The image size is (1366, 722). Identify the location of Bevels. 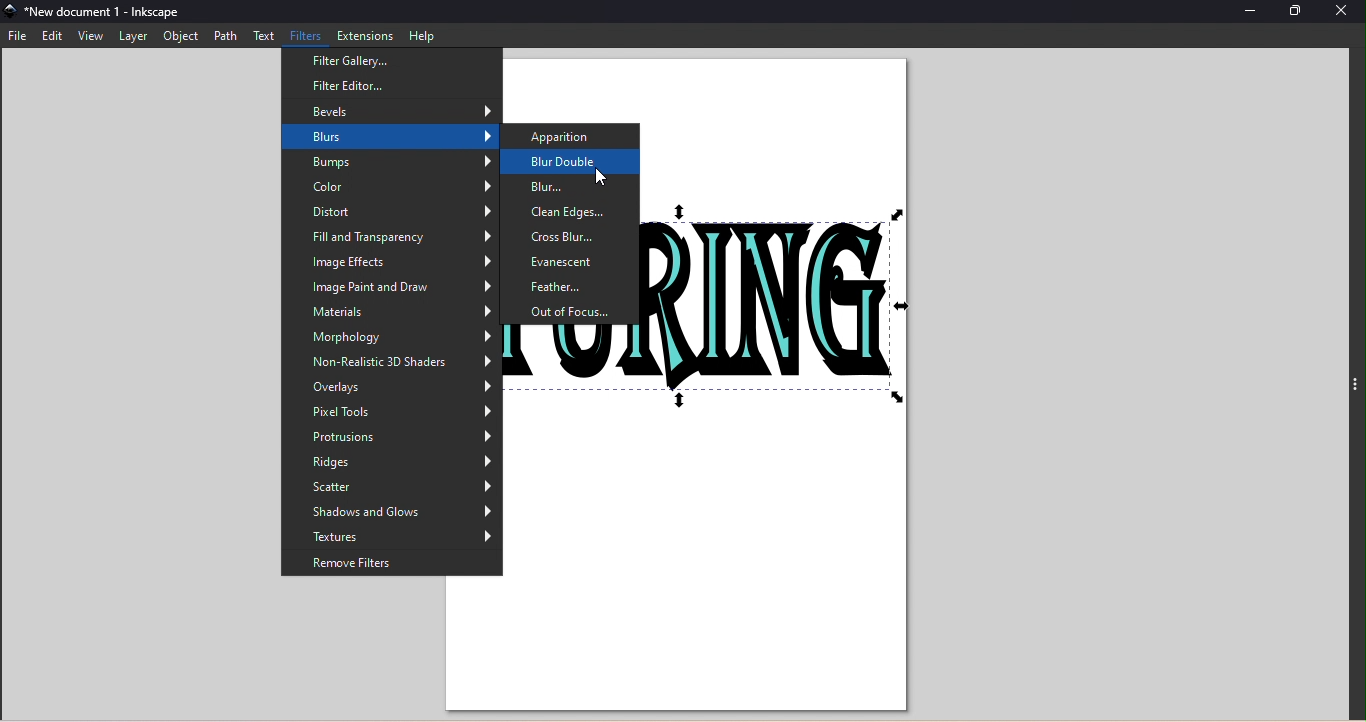
(394, 110).